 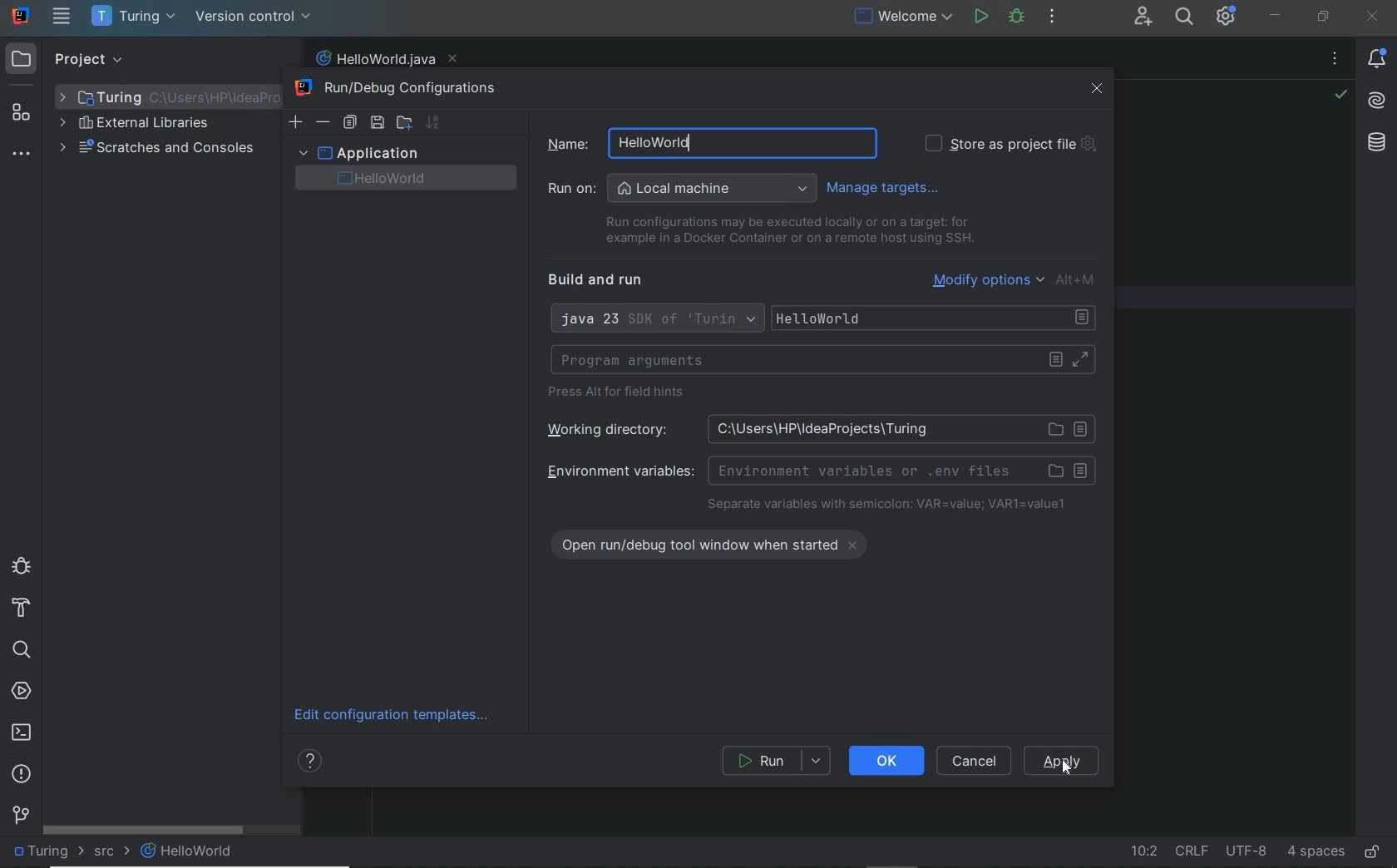 What do you see at coordinates (1052, 17) in the screenshot?
I see `more actions` at bounding box center [1052, 17].